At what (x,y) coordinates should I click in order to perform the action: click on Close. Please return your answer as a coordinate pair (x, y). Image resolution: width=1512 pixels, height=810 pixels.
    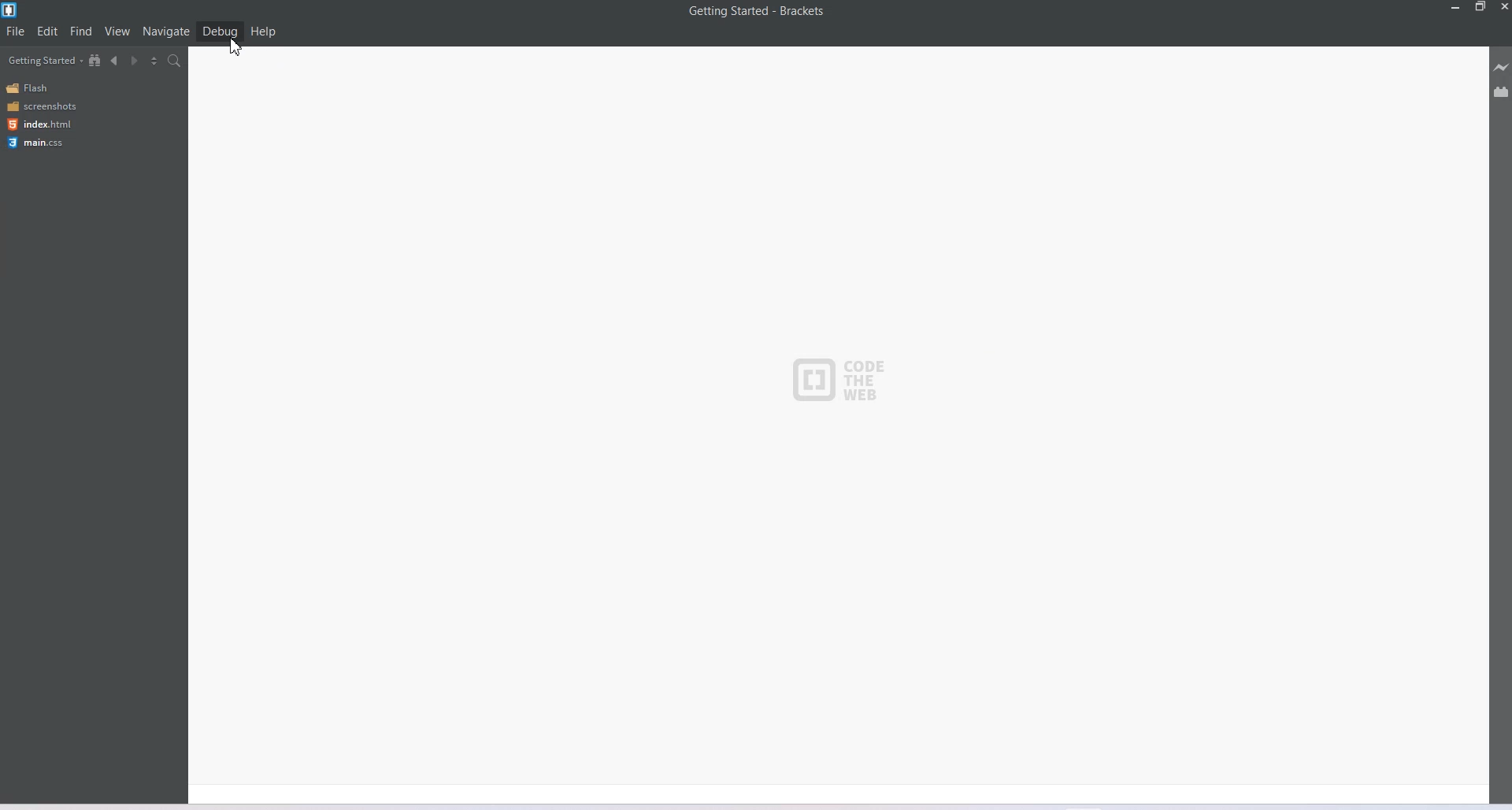
    Looking at the image, I should click on (1503, 7).